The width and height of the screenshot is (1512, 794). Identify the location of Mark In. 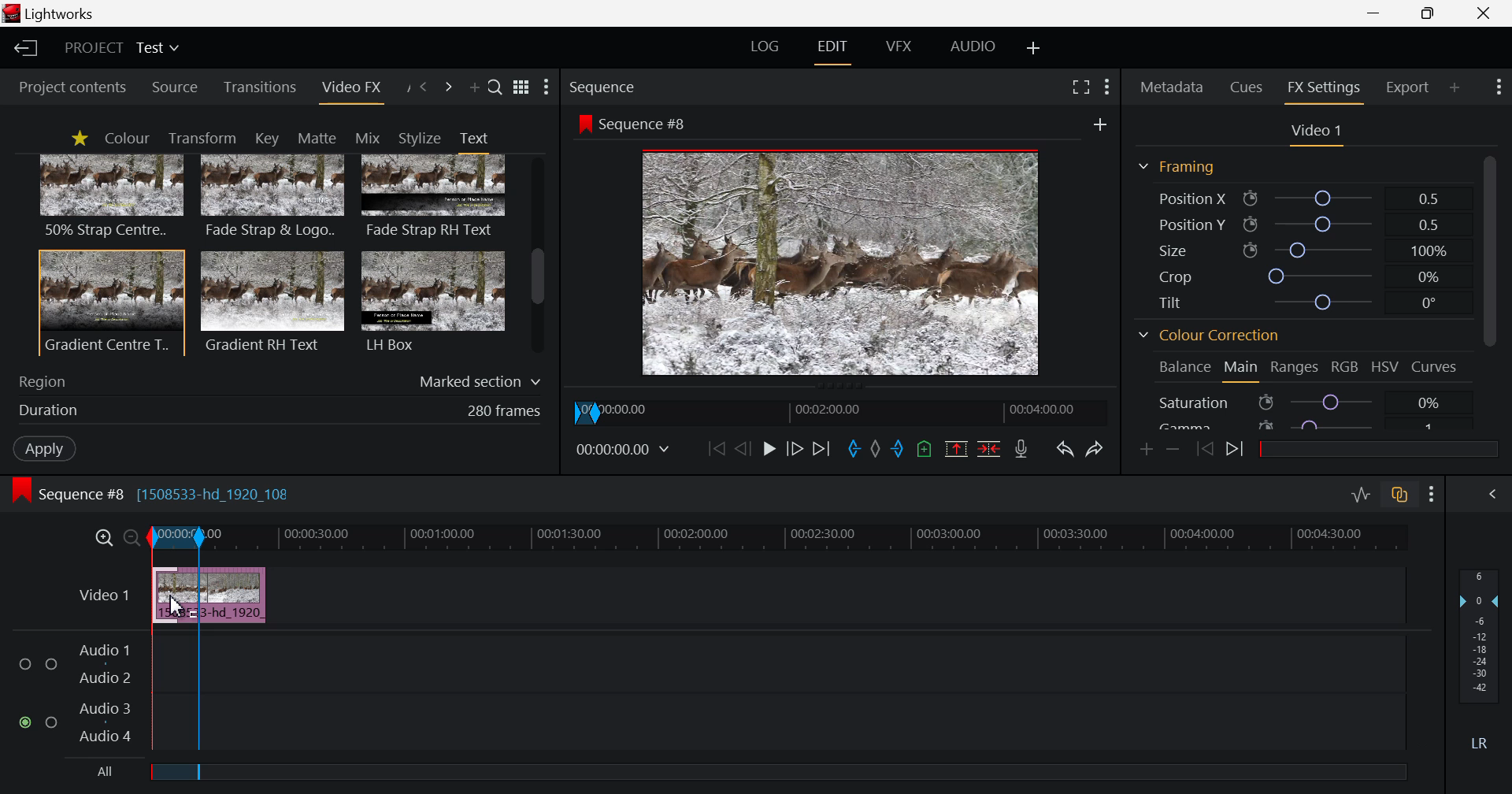
(851, 447).